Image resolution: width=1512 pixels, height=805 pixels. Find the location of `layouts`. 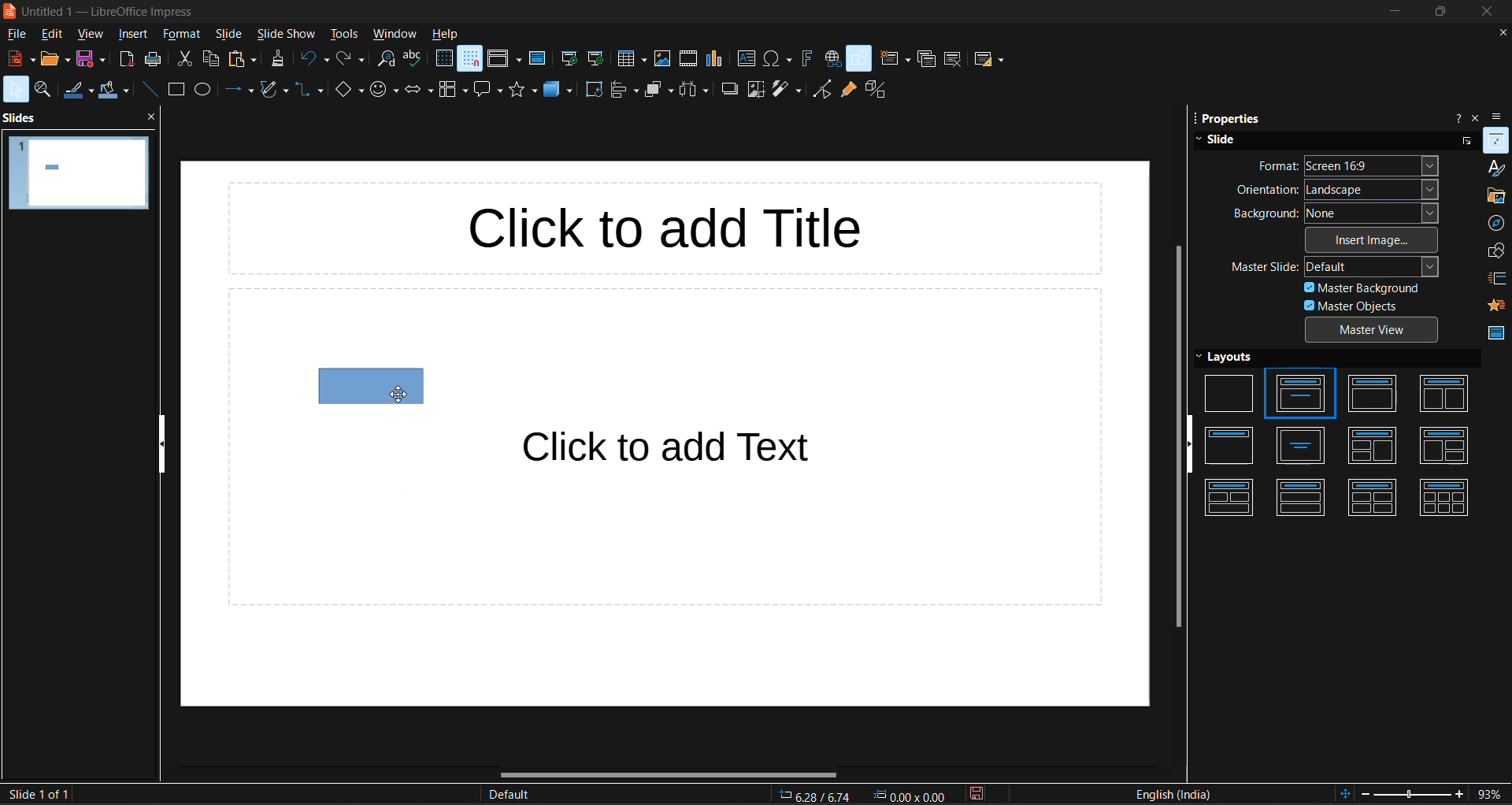

layouts is located at coordinates (1234, 358).